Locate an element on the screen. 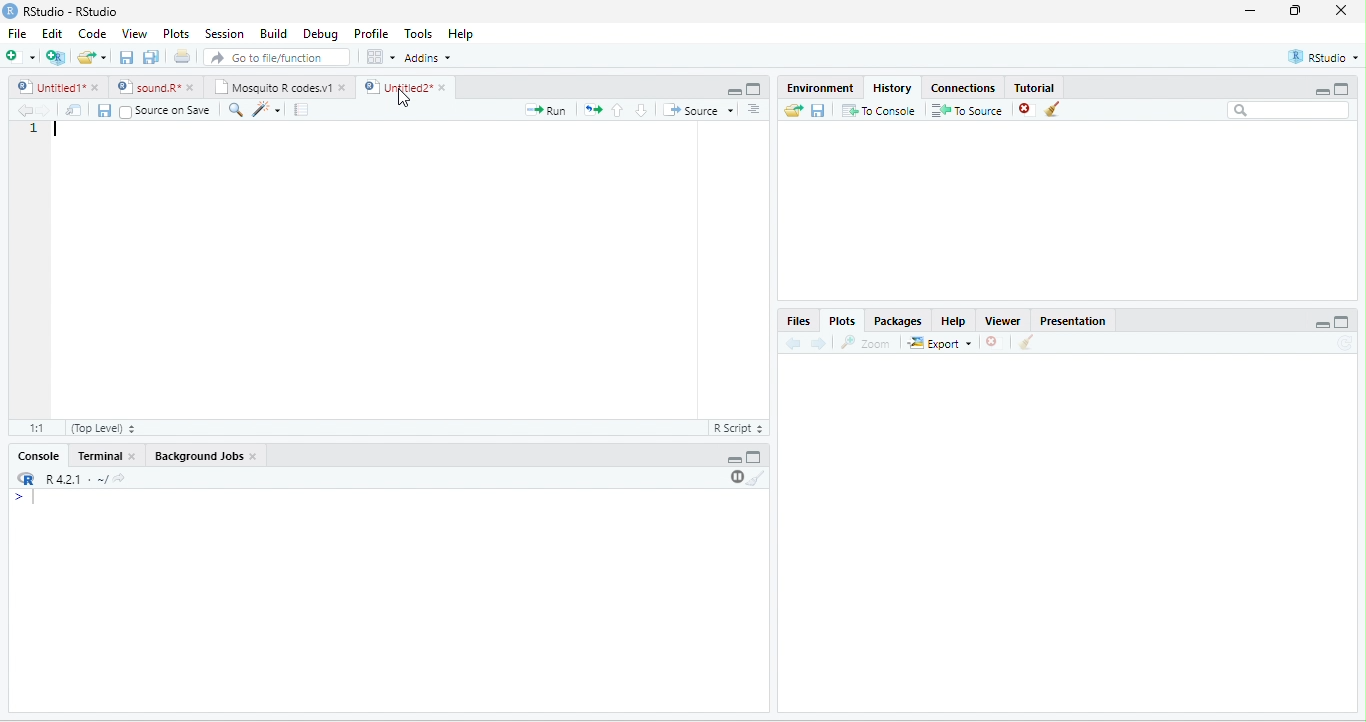 The width and height of the screenshot is (1366, 722). close file is located at coordinates (1027, 110).